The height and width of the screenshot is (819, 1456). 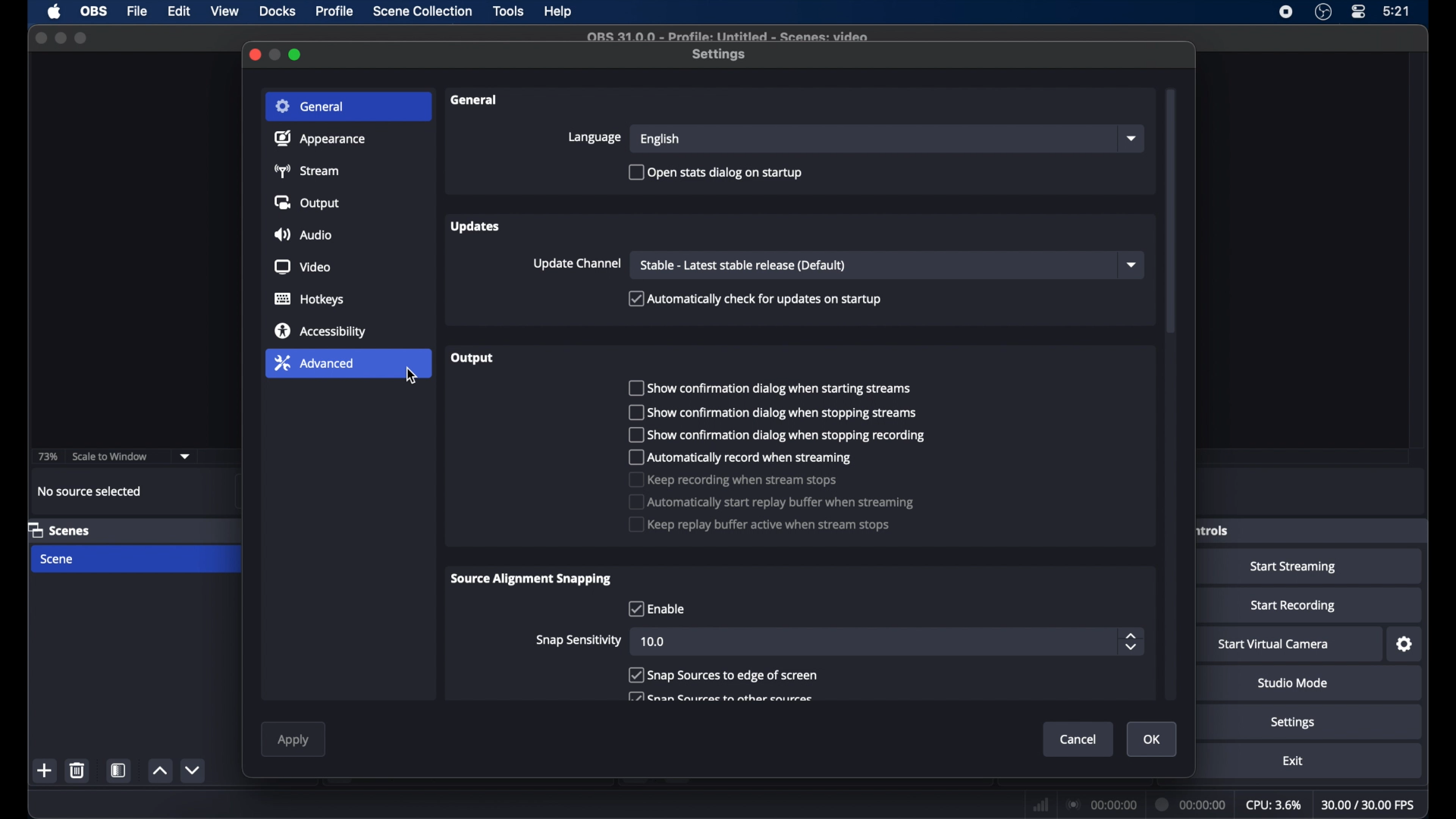 What do you see at coordinates (315, 362) in the screenshot?
I see `advanced` at bounding box center [315, 362].